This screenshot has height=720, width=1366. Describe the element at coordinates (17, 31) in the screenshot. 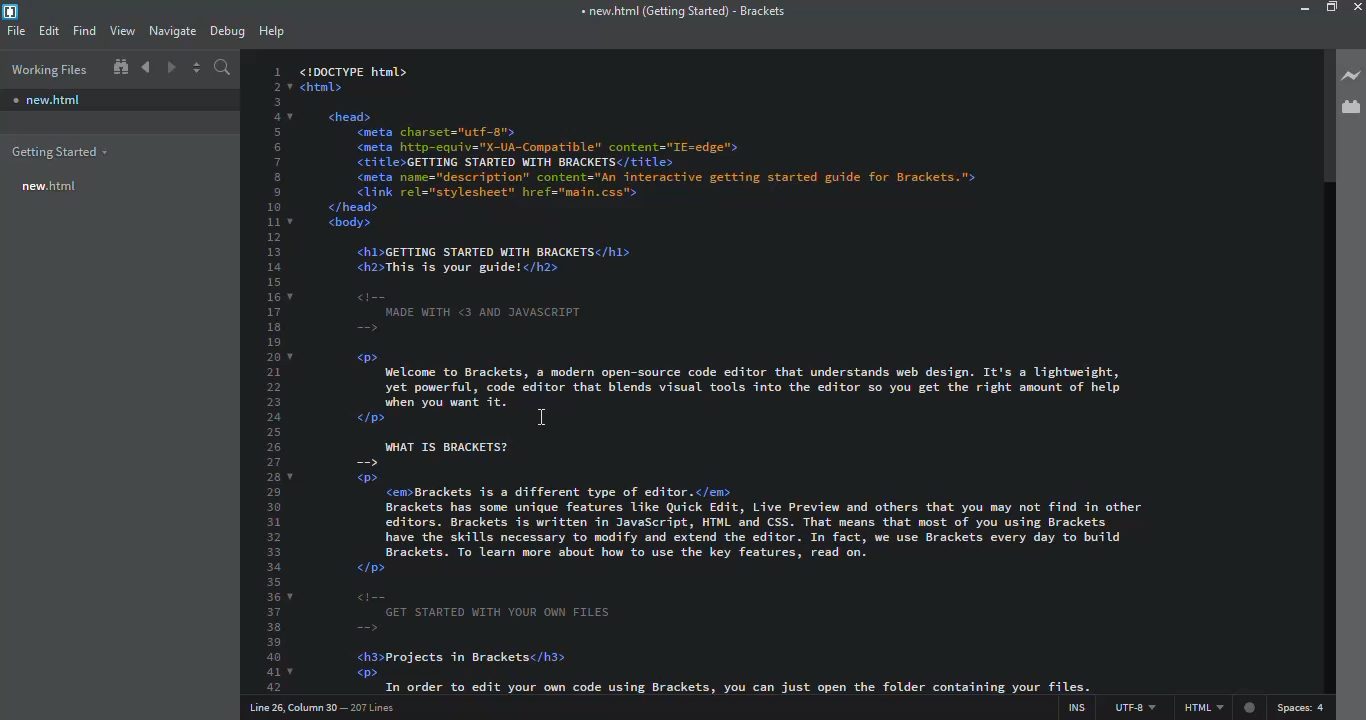

I see `file` at that location.